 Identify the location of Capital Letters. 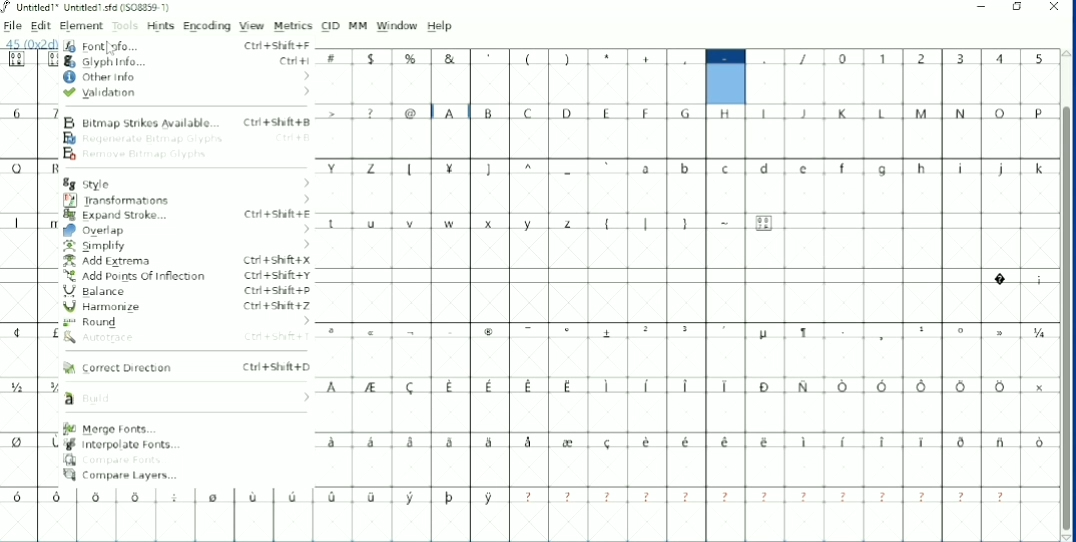
(192, 168).